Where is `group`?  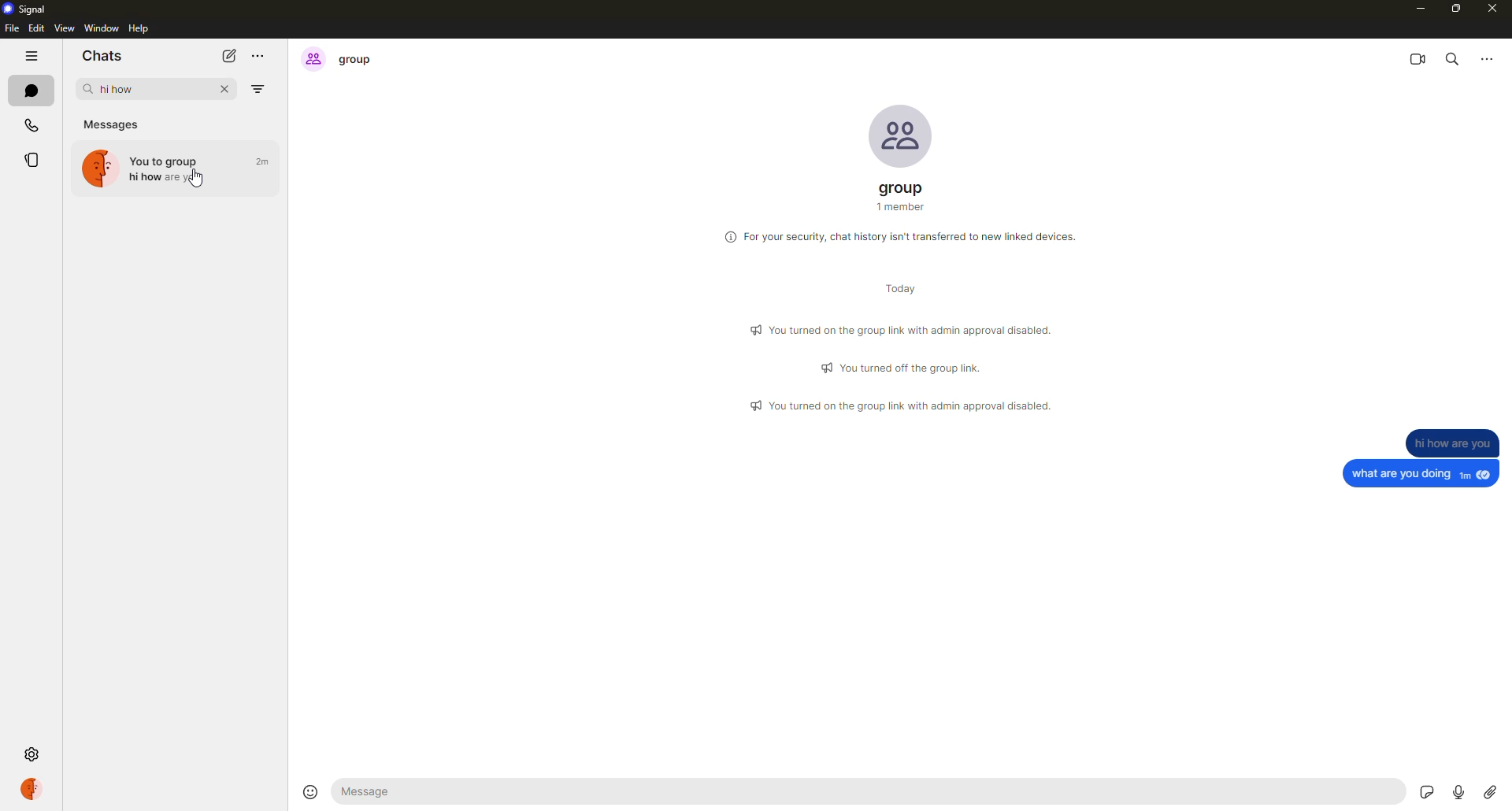 group is located at coordinates (904, 197).